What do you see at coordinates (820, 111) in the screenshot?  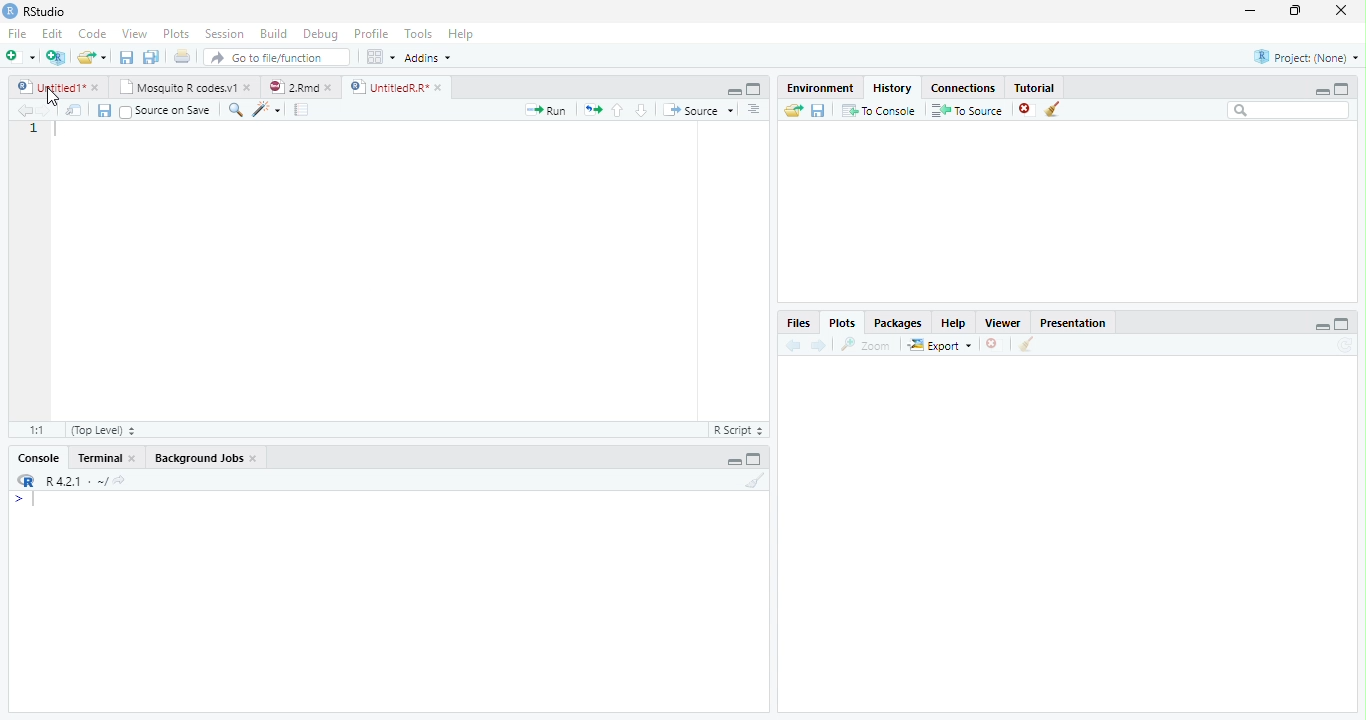 I see `save workspace` at bounding box center [820, 111].